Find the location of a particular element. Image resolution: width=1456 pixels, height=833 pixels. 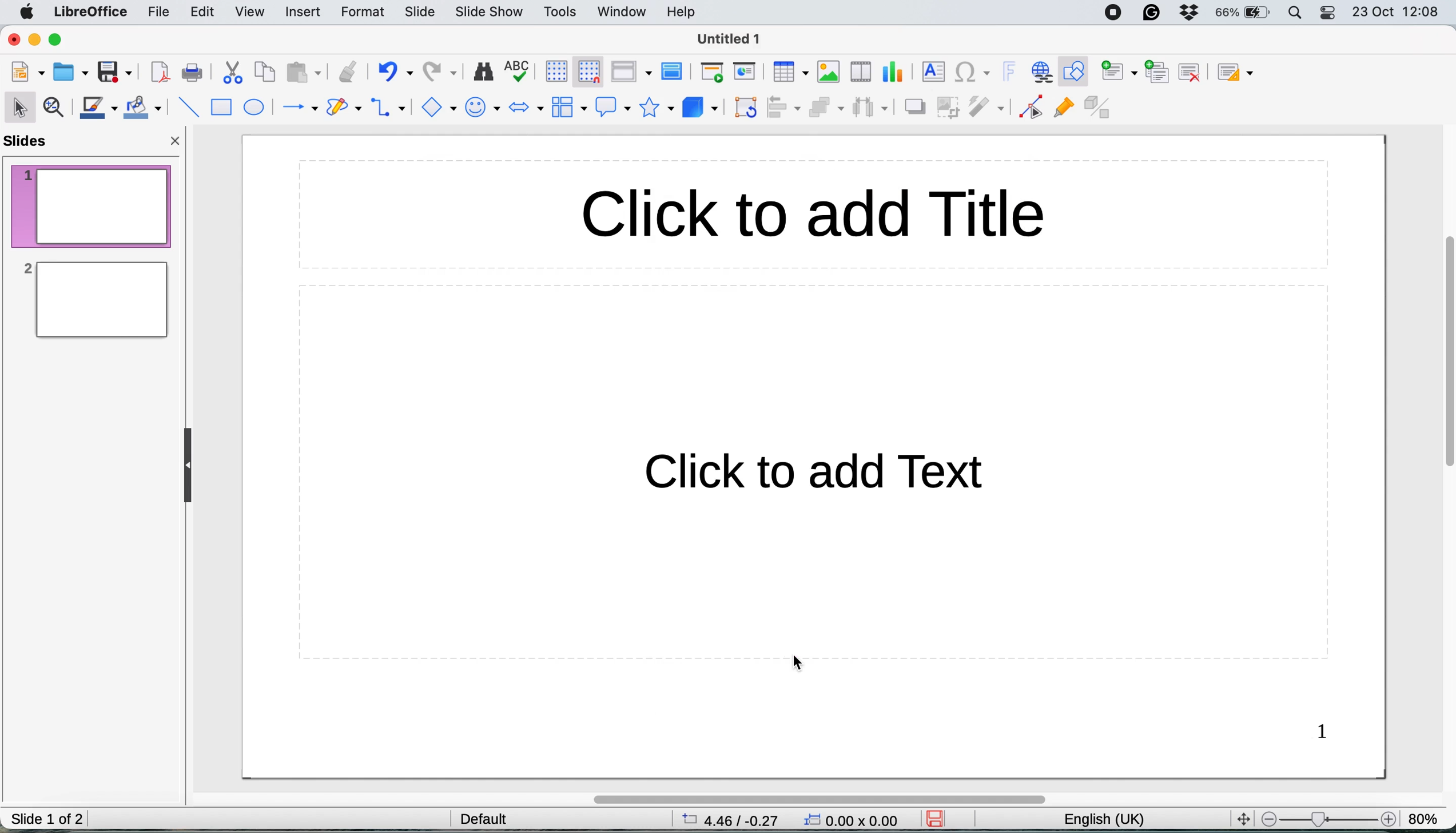

view is located at coordinates (253, 11).